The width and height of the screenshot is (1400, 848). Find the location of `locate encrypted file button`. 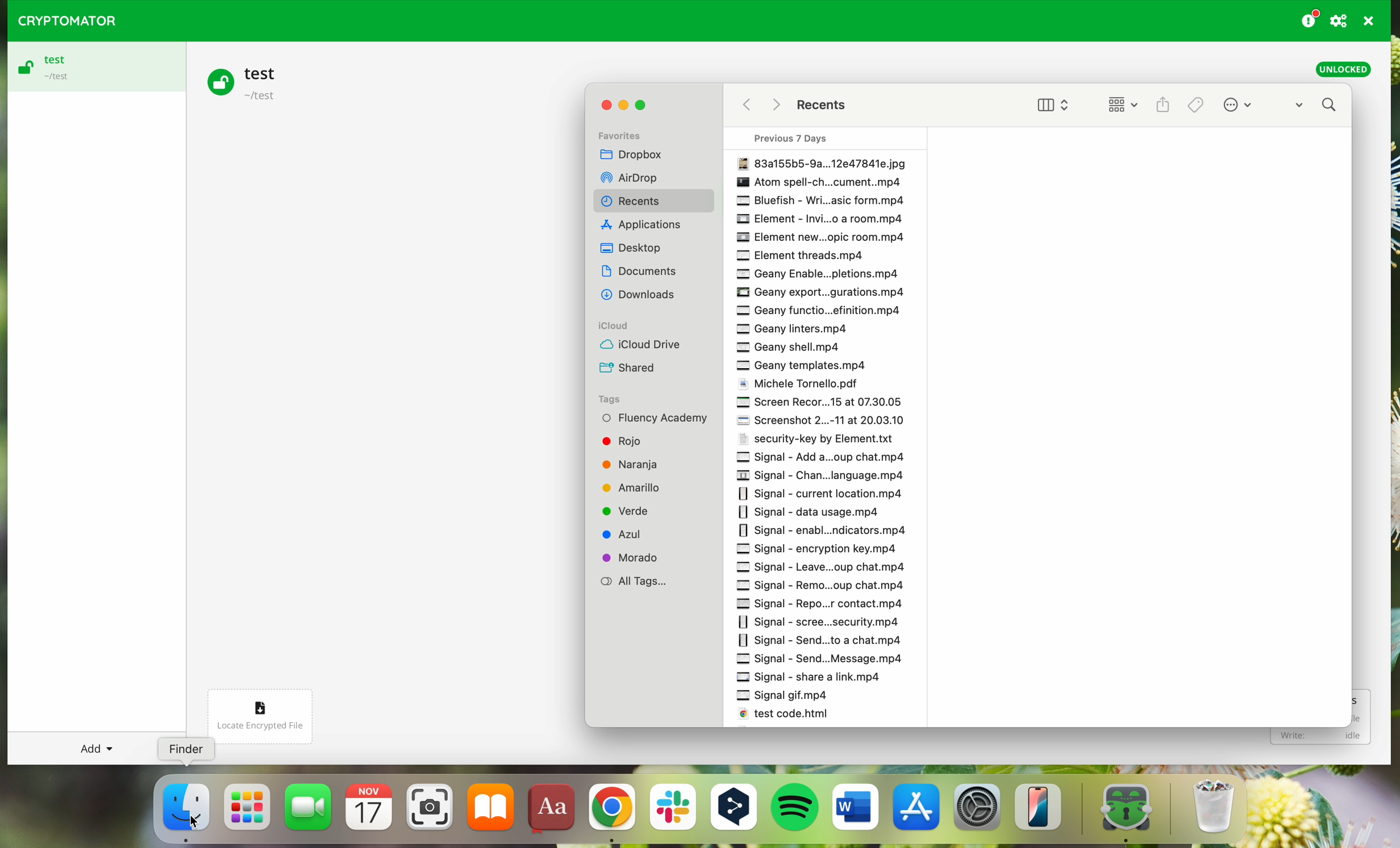

locate encrypted file button is located at coordinates (270, 711).